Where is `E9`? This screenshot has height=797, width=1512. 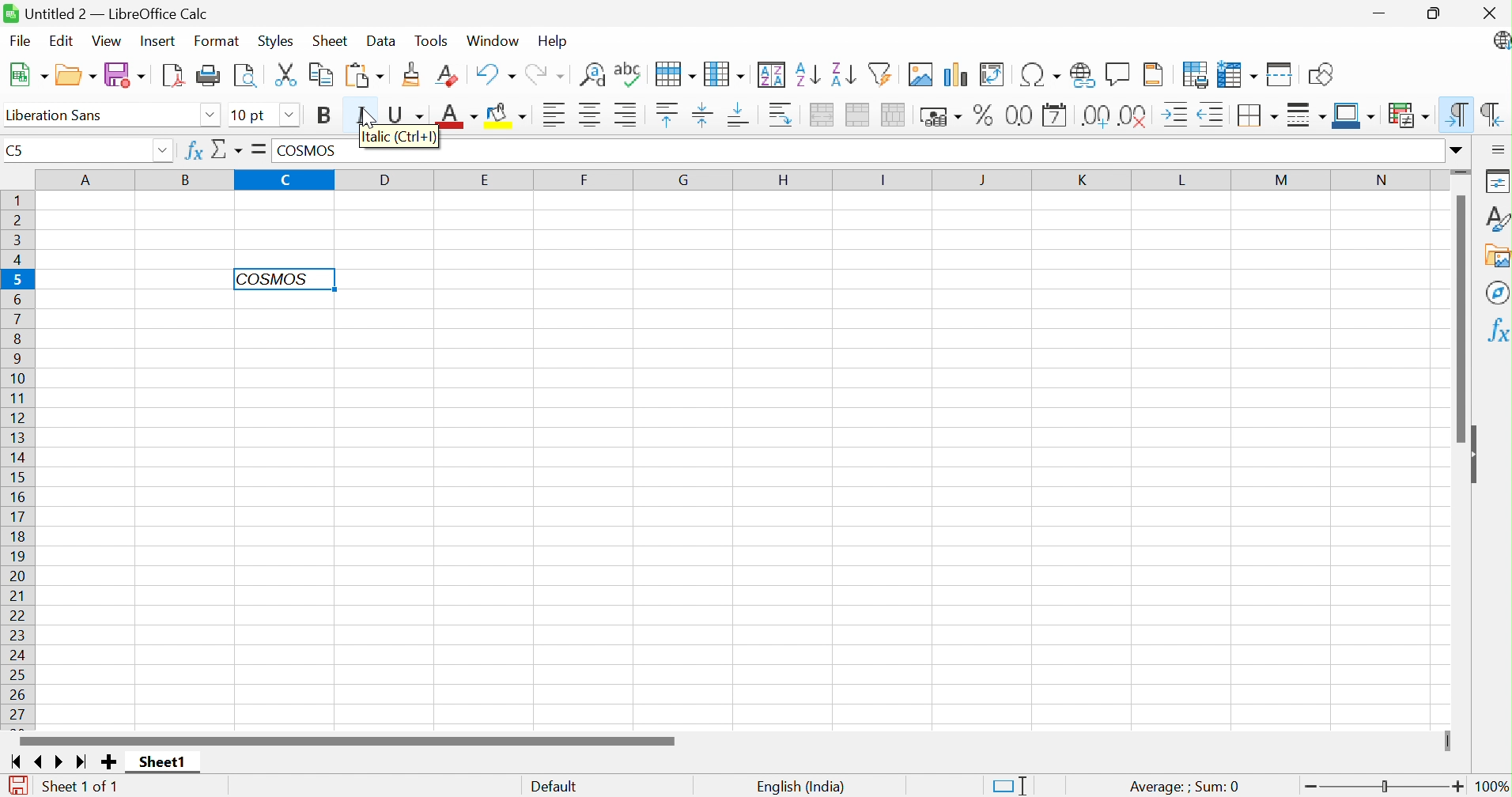
E9 is located at coordinates (77, 146).